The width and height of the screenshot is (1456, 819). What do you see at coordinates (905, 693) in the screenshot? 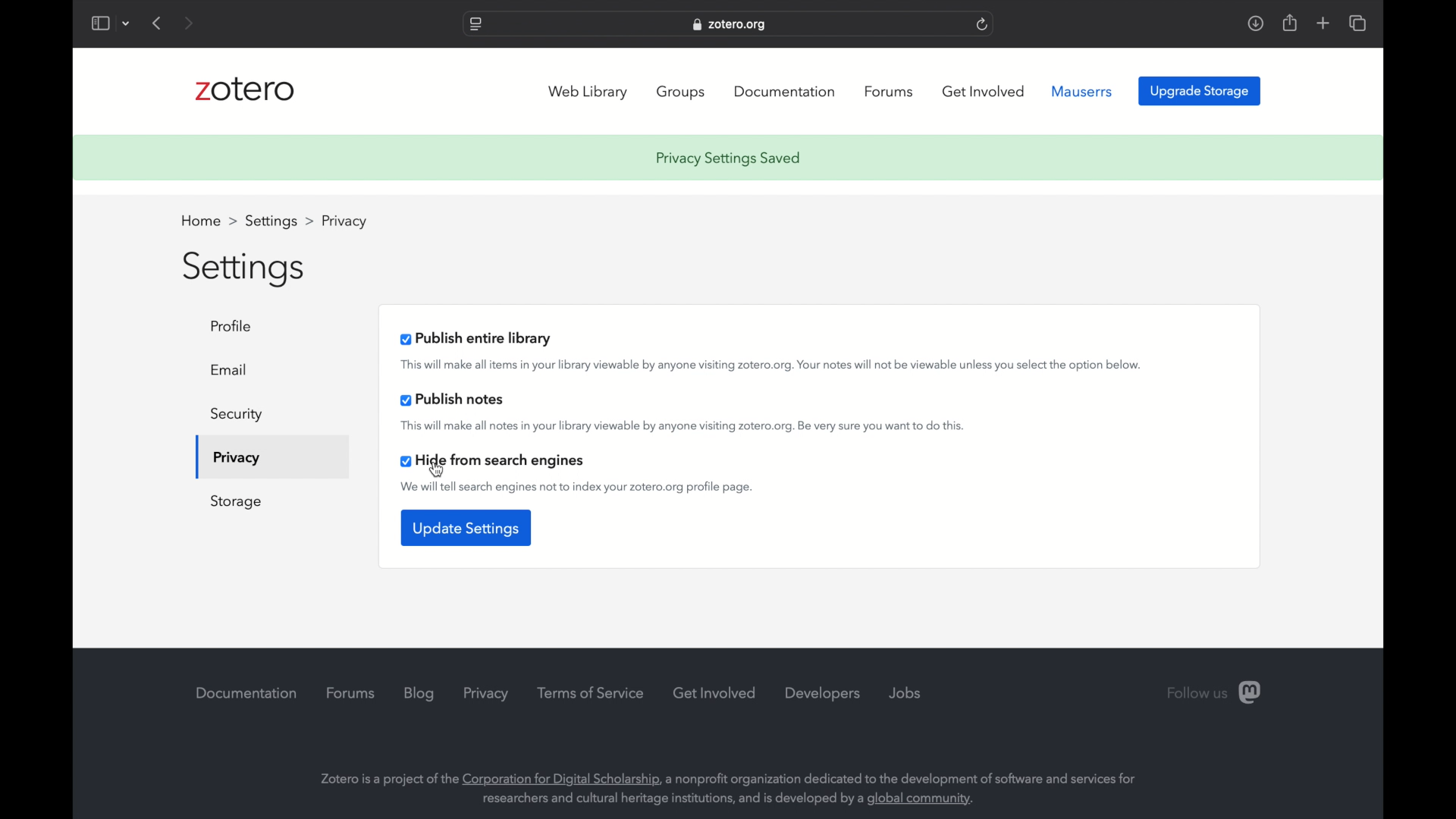
I see `jobs` at bounding box center [905, 693].